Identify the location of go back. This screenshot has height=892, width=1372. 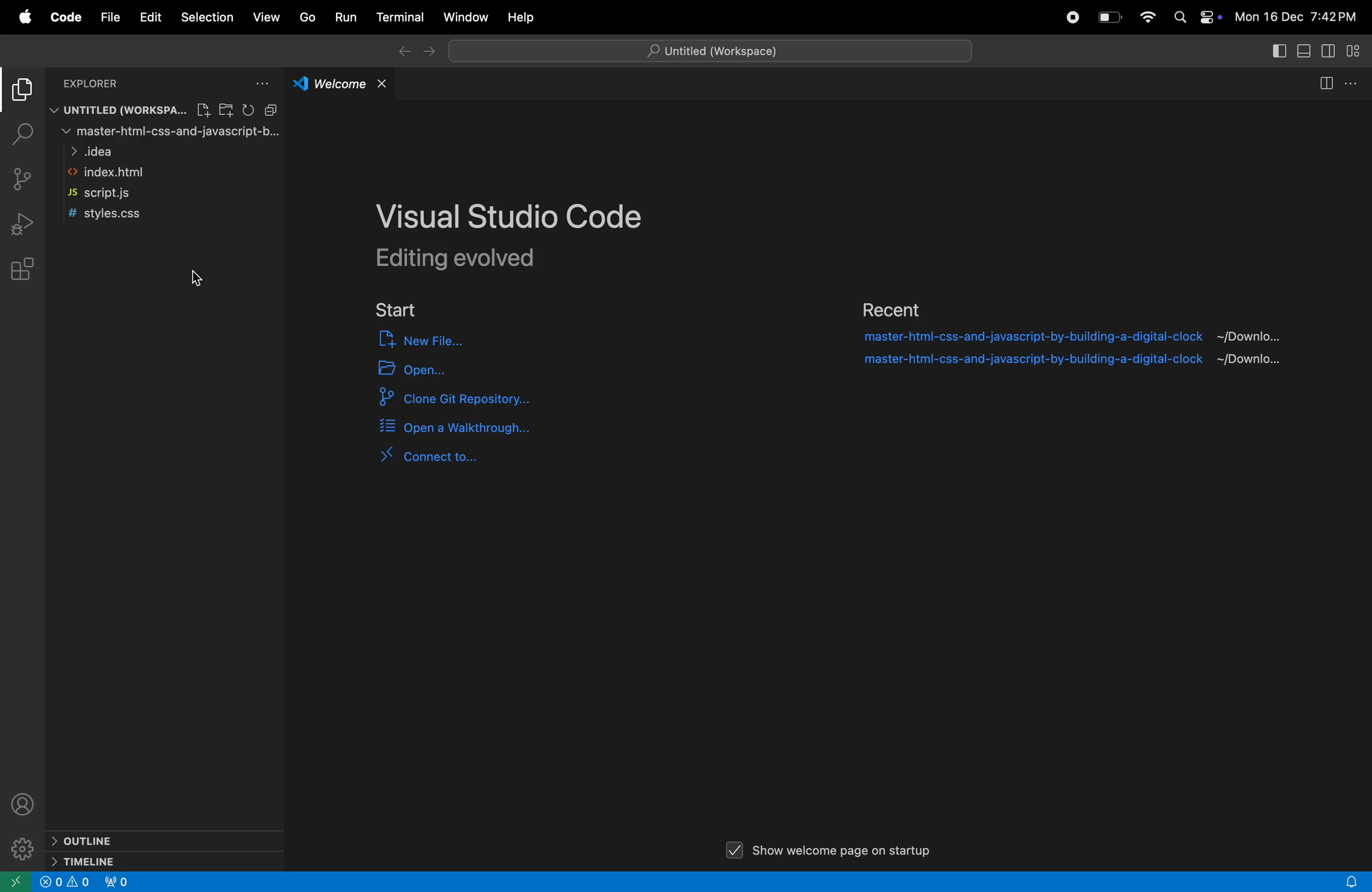
(404, 52).